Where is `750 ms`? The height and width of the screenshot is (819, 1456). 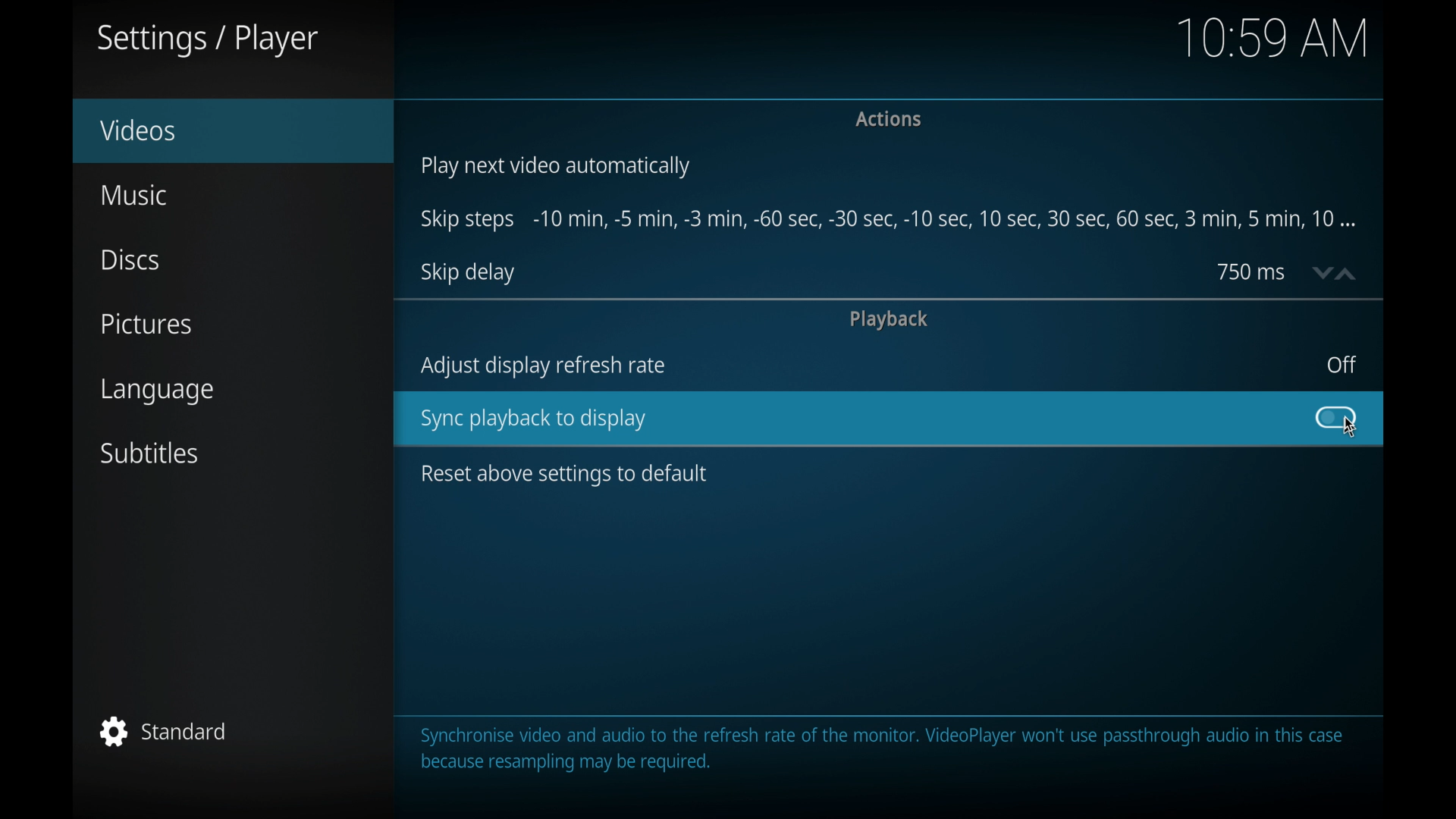 750 ms is located at coordinates (1250, 272).